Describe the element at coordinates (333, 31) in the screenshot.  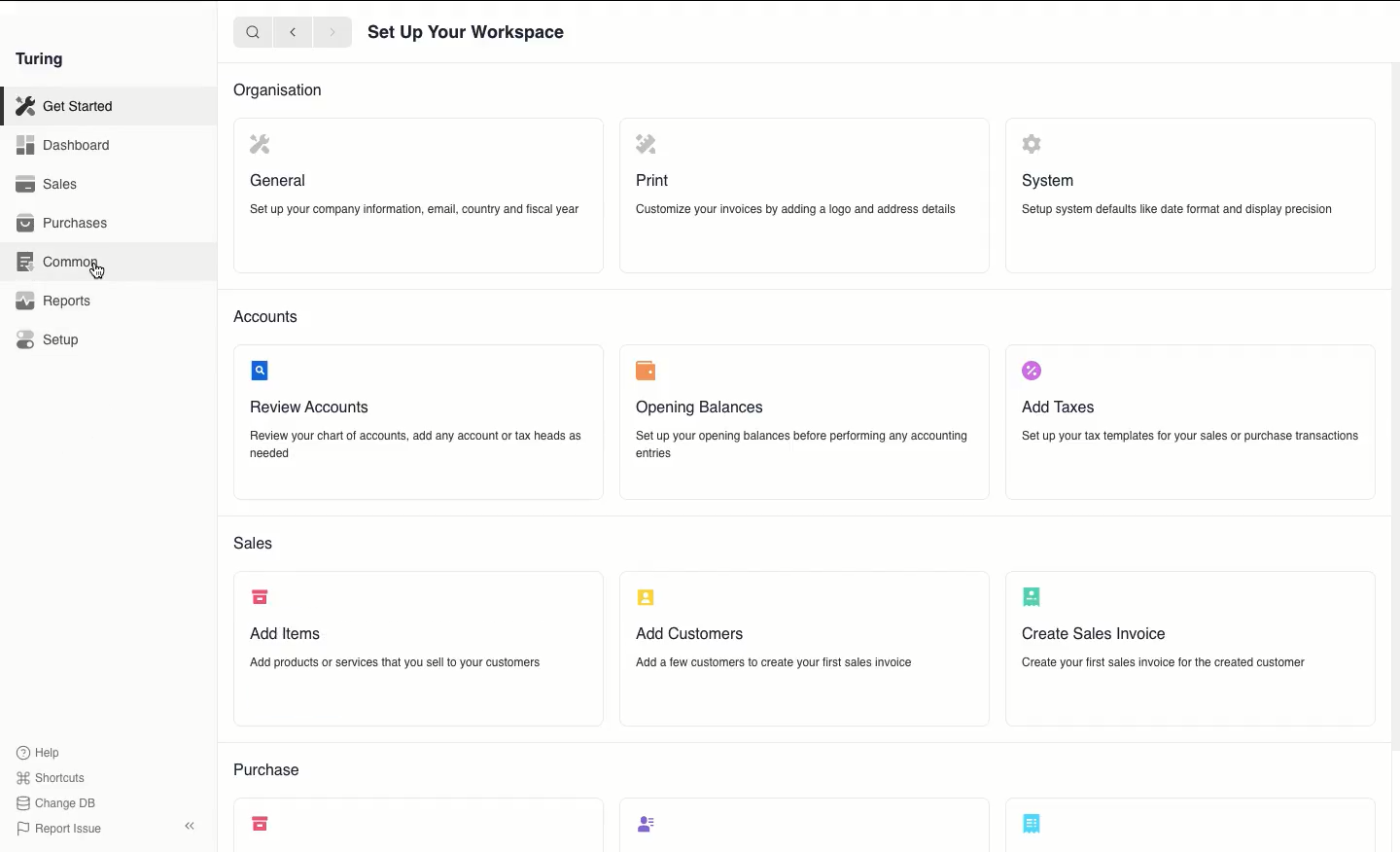
I see `Forward` at that location.